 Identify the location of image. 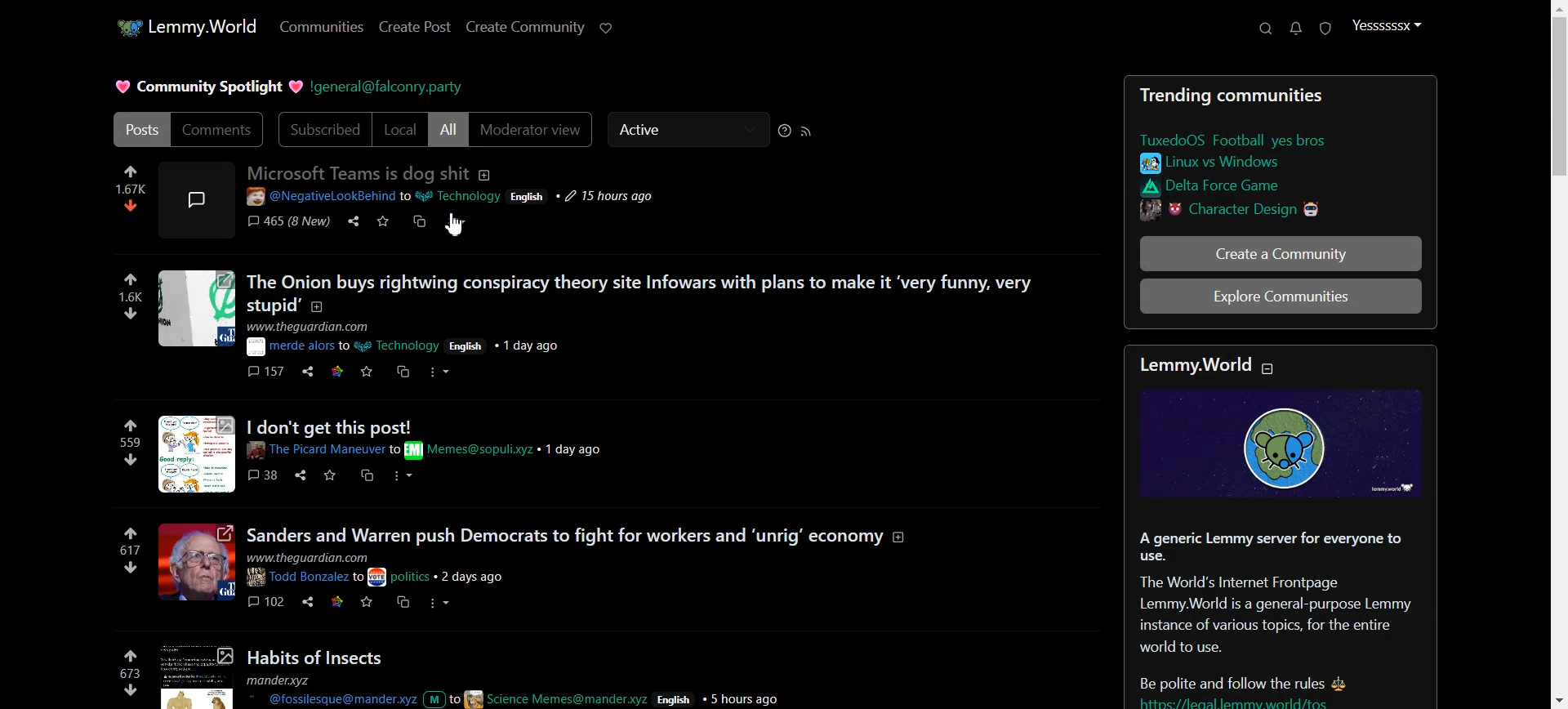
(198, 563).